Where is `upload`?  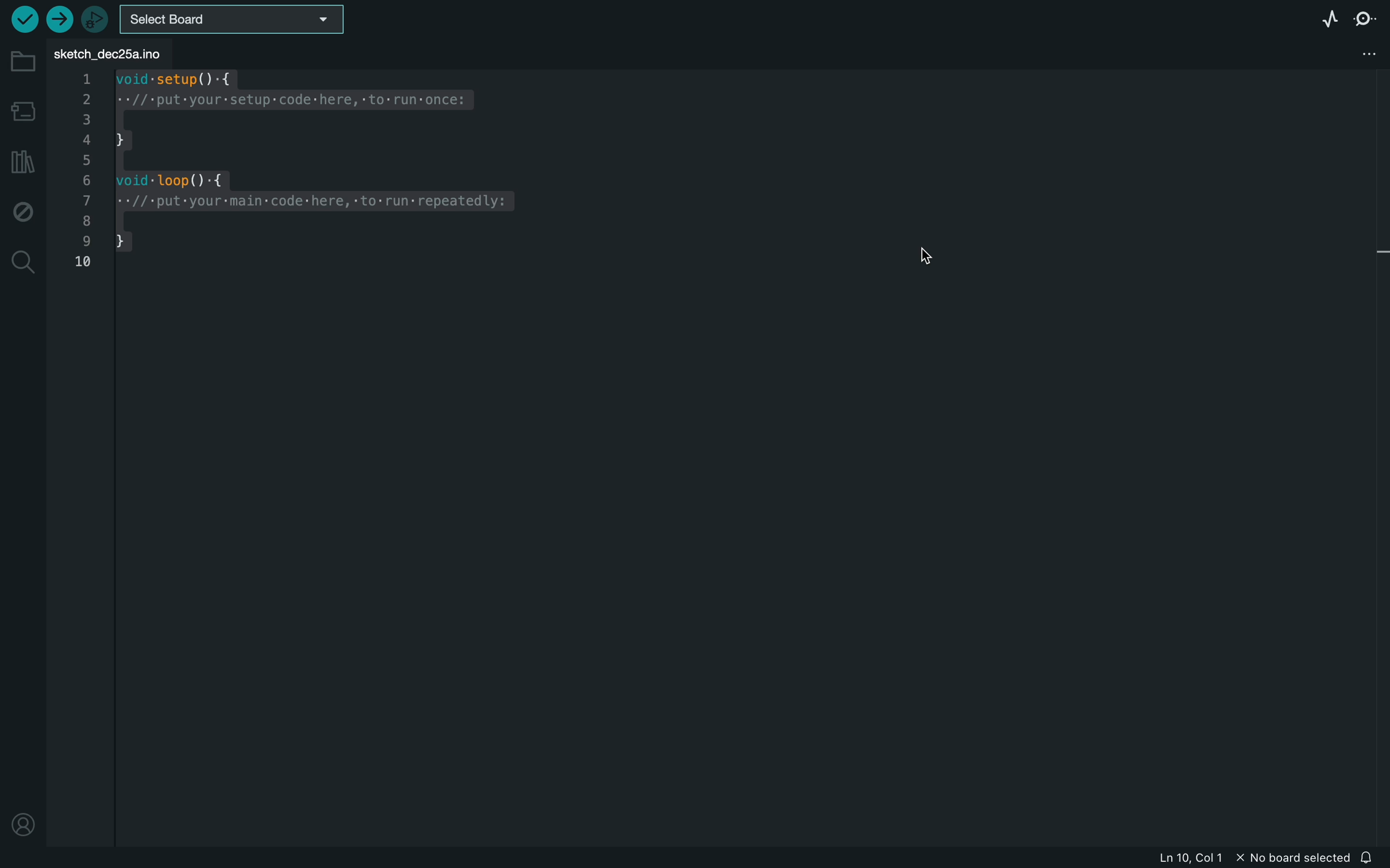 upload is located at coordinates (59, 20).